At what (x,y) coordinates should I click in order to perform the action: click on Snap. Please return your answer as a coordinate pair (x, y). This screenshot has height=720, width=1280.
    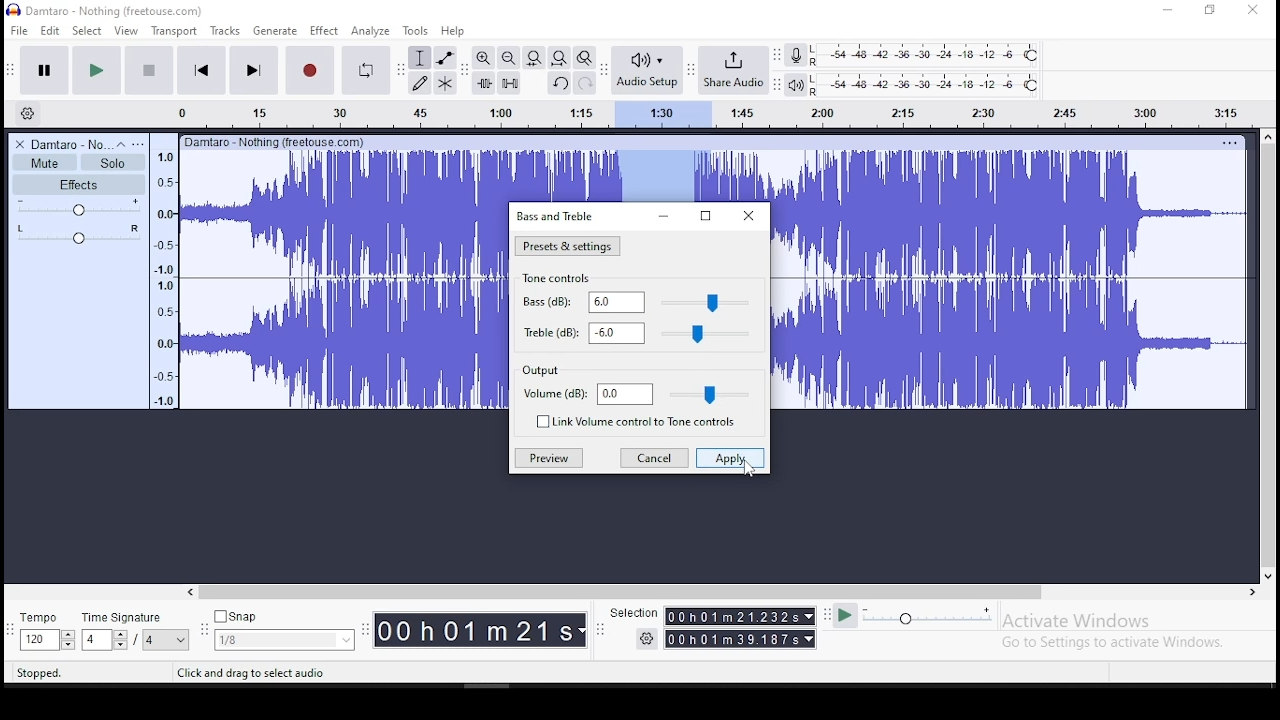
    Looking at the image, I should click on (284, 617).